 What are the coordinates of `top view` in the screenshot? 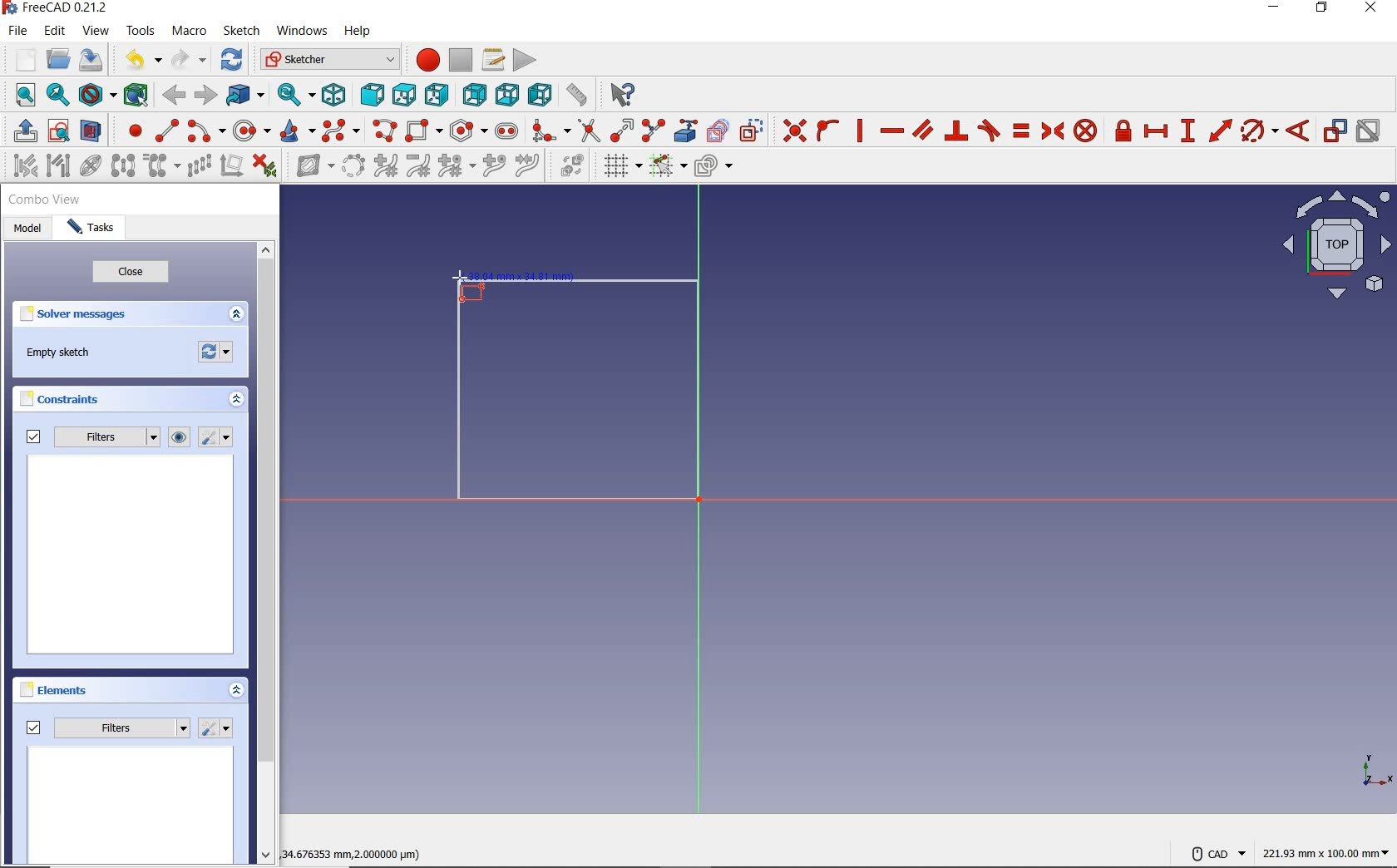 It's located at (1335, 249).